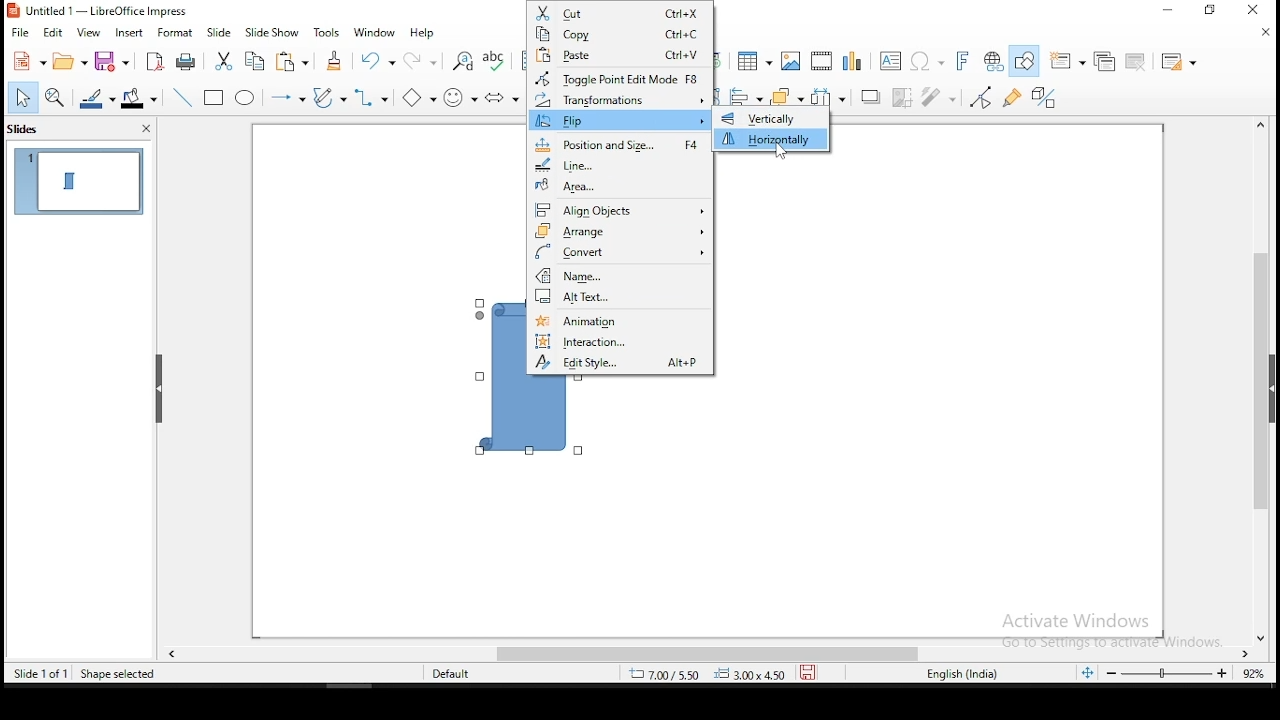 The image size is (1280, 720). I want to click on spell check, so click(497, 60).